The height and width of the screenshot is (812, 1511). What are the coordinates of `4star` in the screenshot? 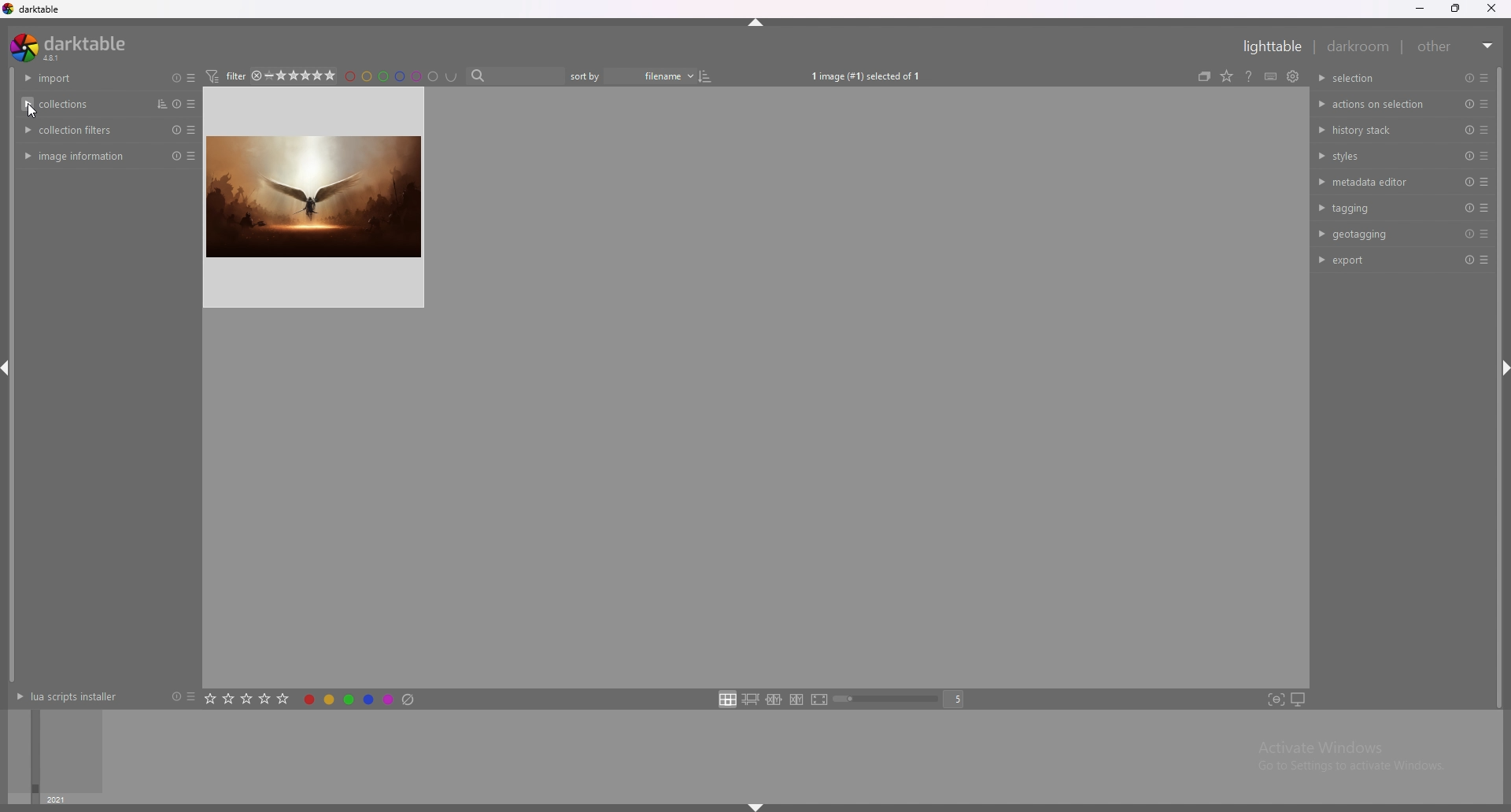 It's located at (263, 76).